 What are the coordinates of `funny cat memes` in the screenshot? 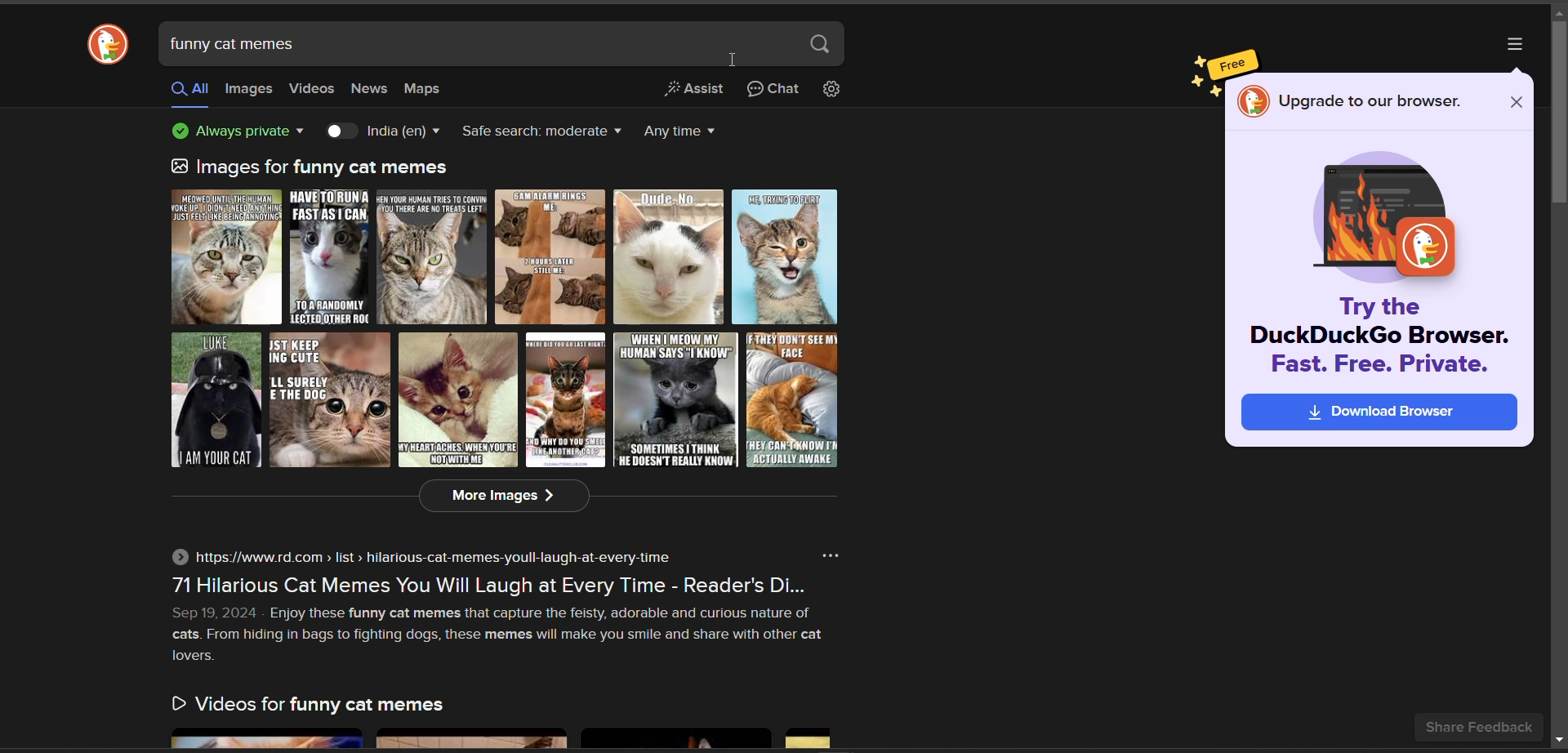 It's located at (237, 46).